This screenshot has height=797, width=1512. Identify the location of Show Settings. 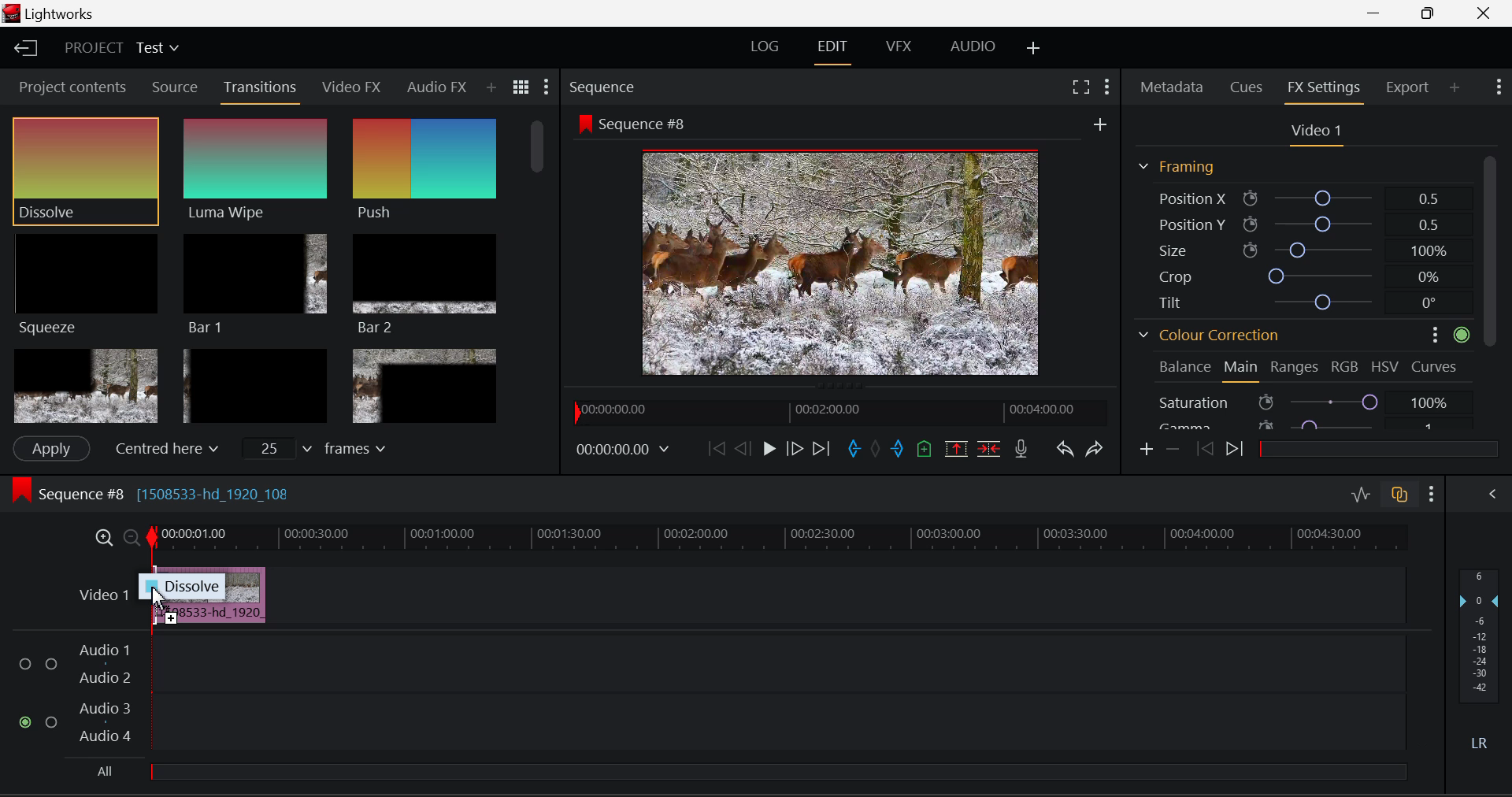
(1106, 87).